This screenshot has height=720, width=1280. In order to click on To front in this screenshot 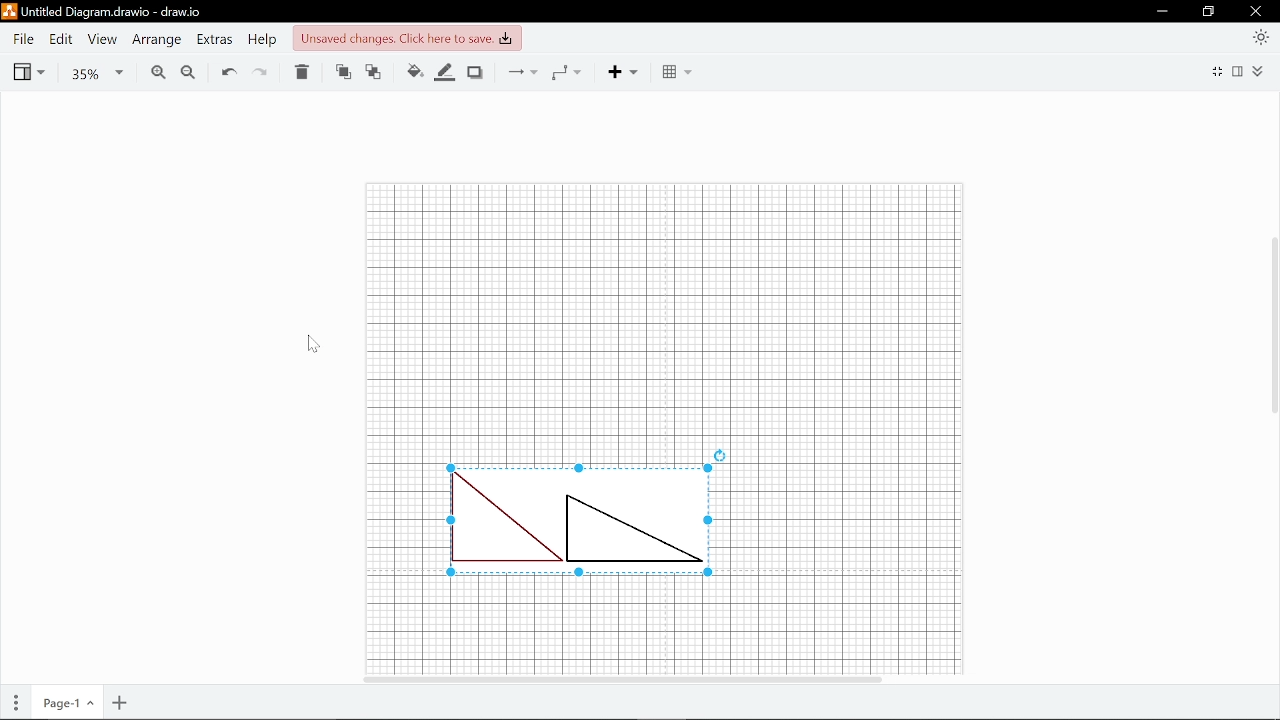, I will do `click(342, 74)`.